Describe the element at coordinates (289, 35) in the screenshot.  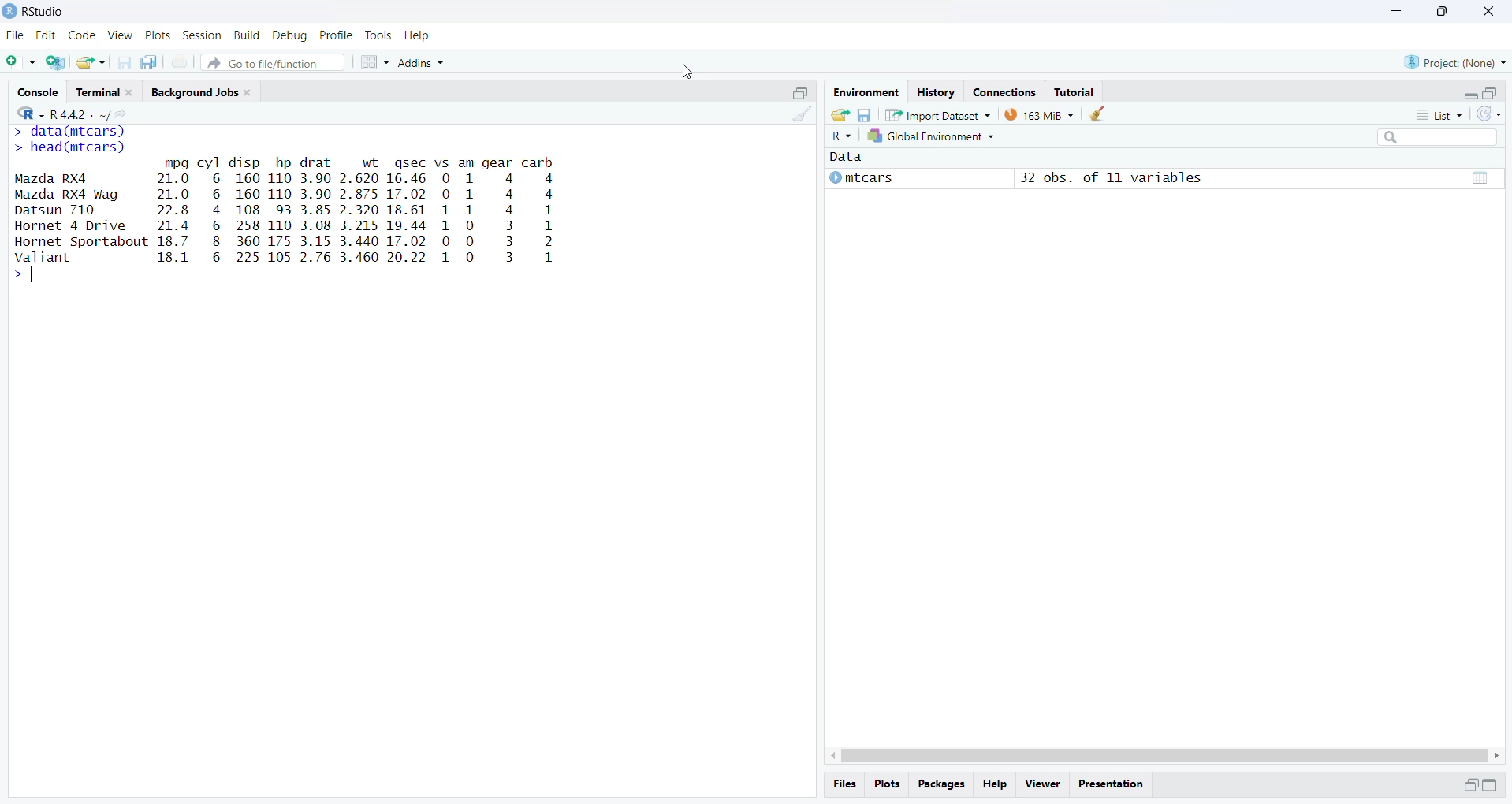
I see `debug` at that location.